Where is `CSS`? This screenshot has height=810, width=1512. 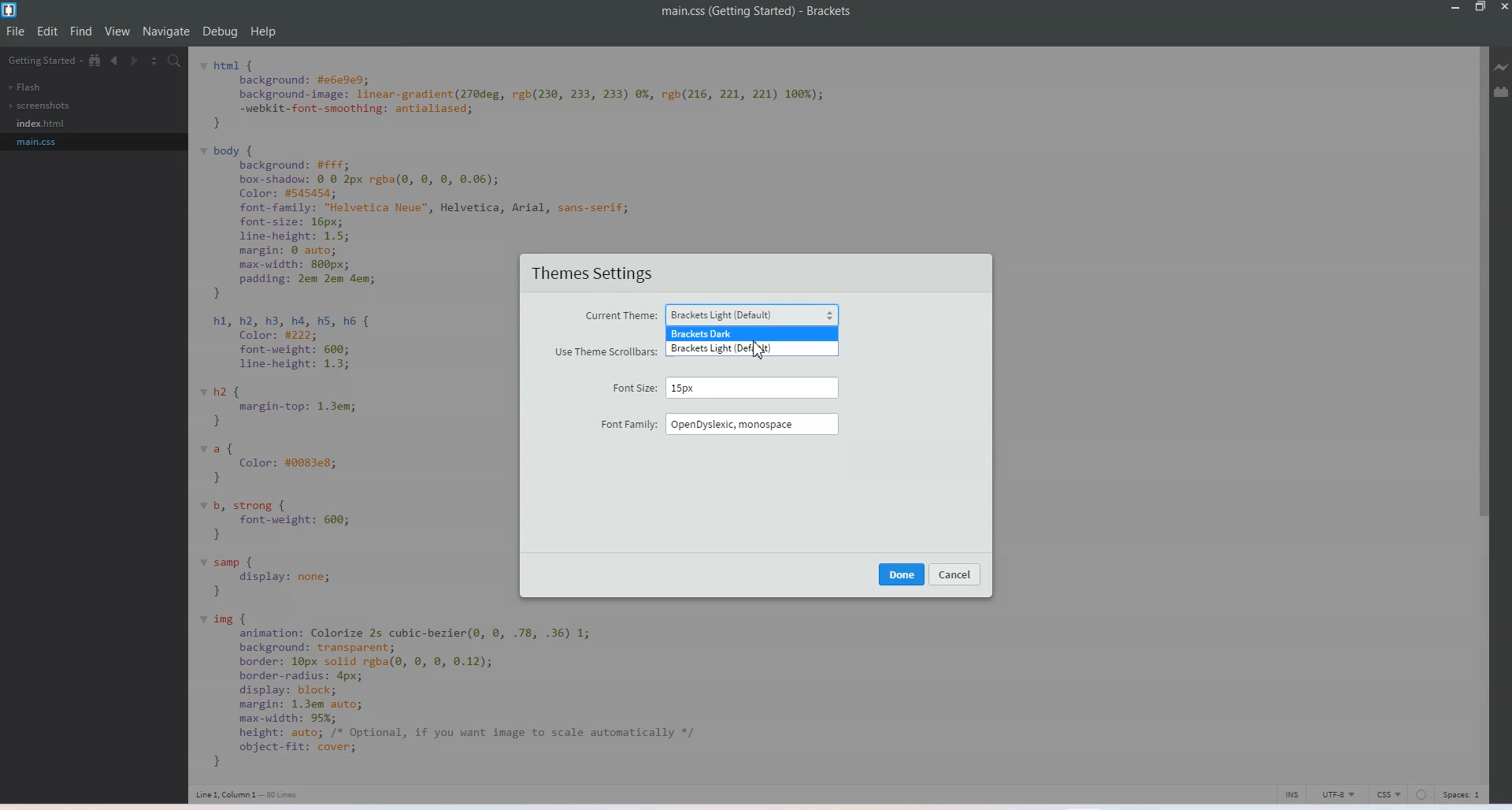
CSS is located at coordinates (1389, 793).